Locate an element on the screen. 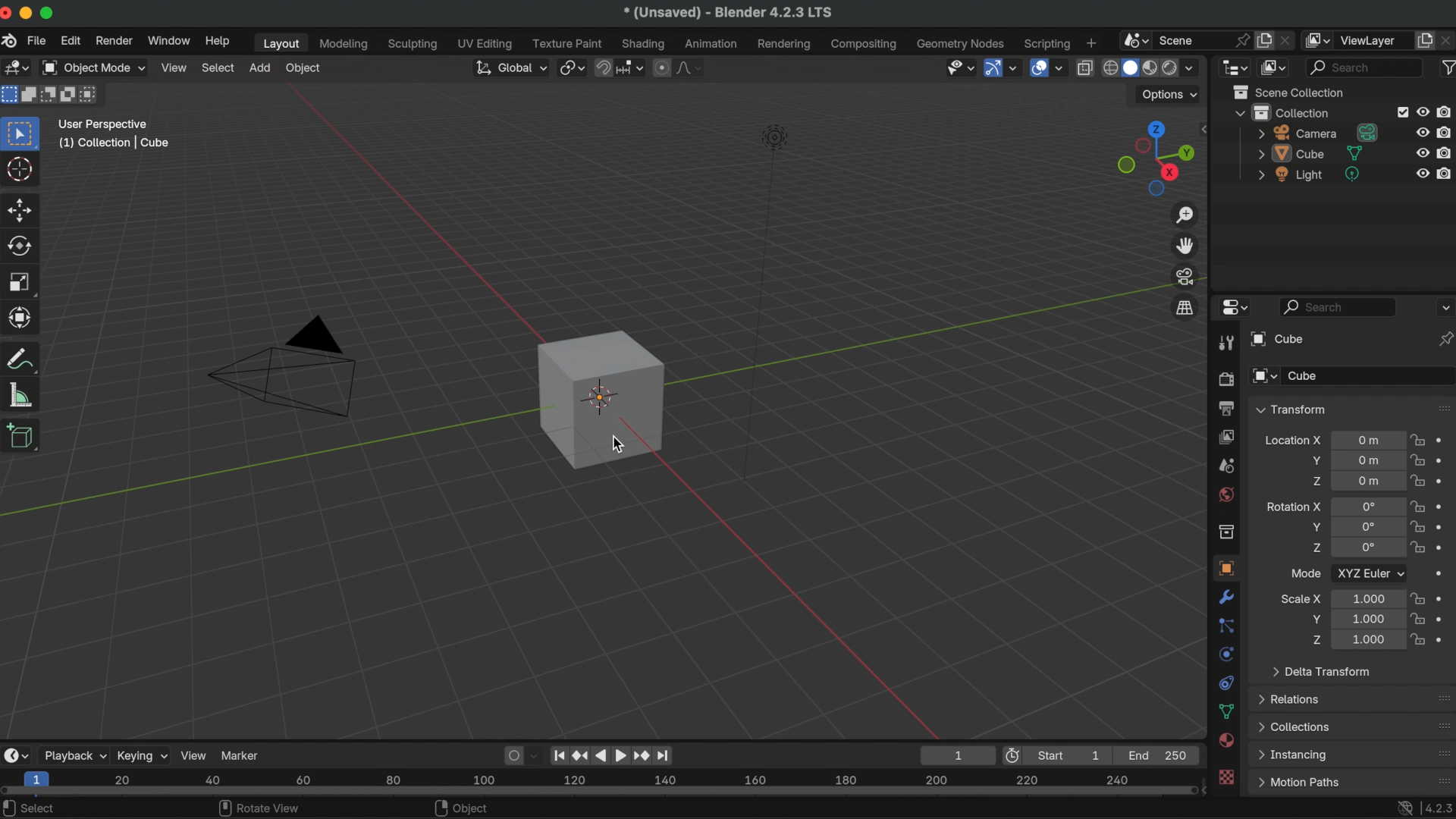 This screenshot has width=1456, height=819. minimize is located at coordinates (29, 13).